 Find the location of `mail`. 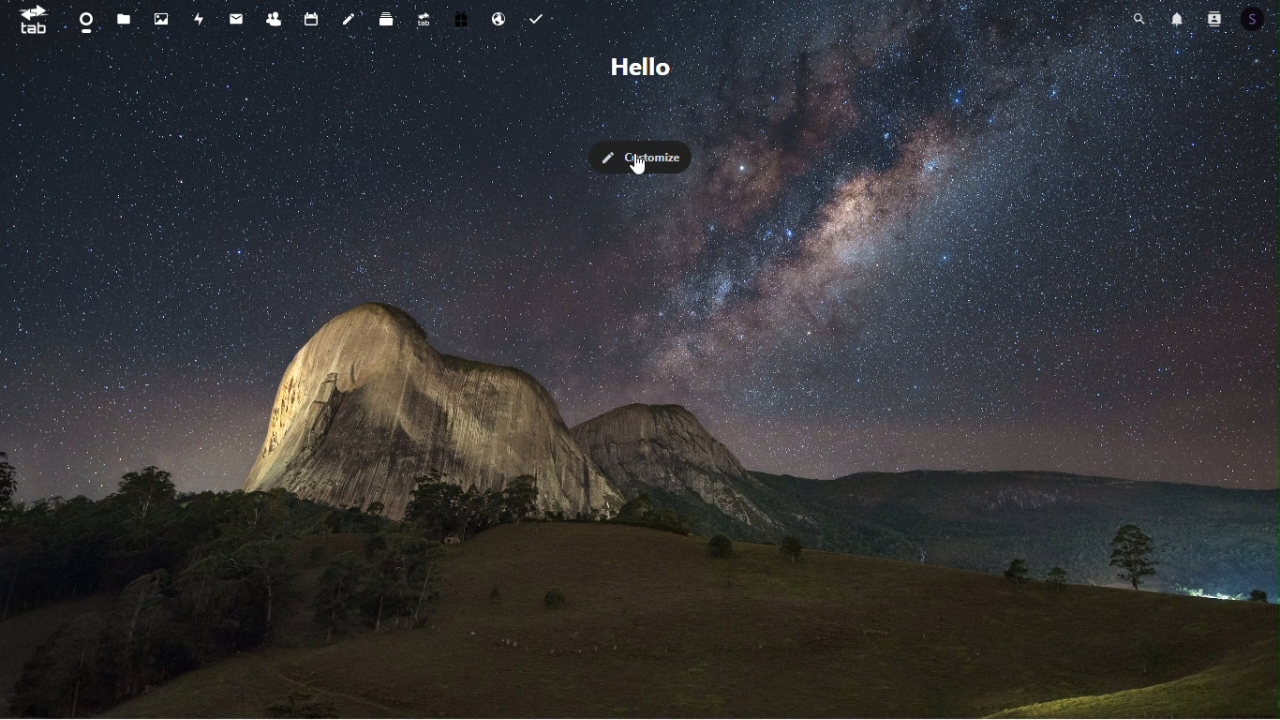

mail is located at coordinates (236, 17).